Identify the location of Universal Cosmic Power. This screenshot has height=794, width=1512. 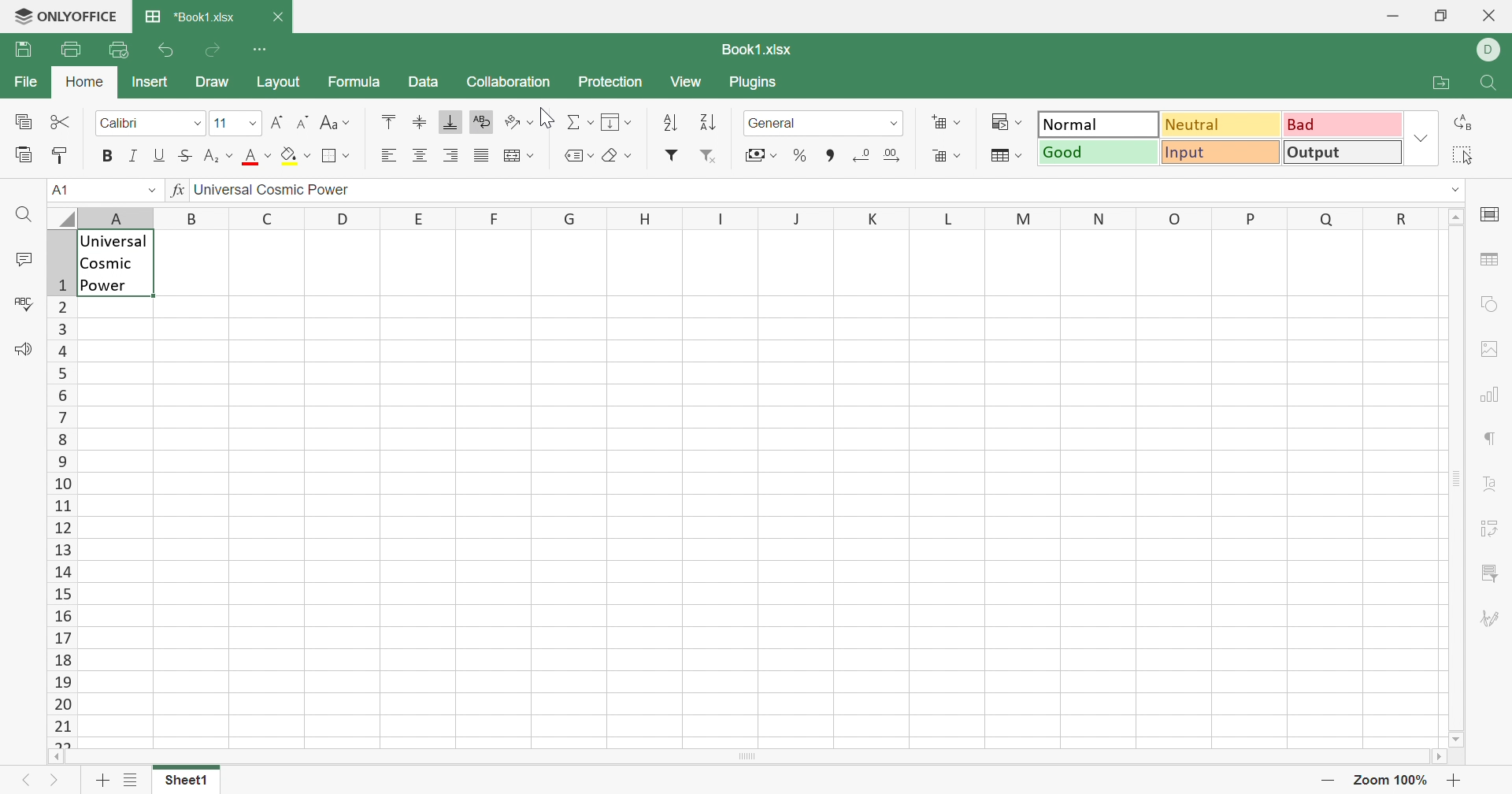
(115, 262).